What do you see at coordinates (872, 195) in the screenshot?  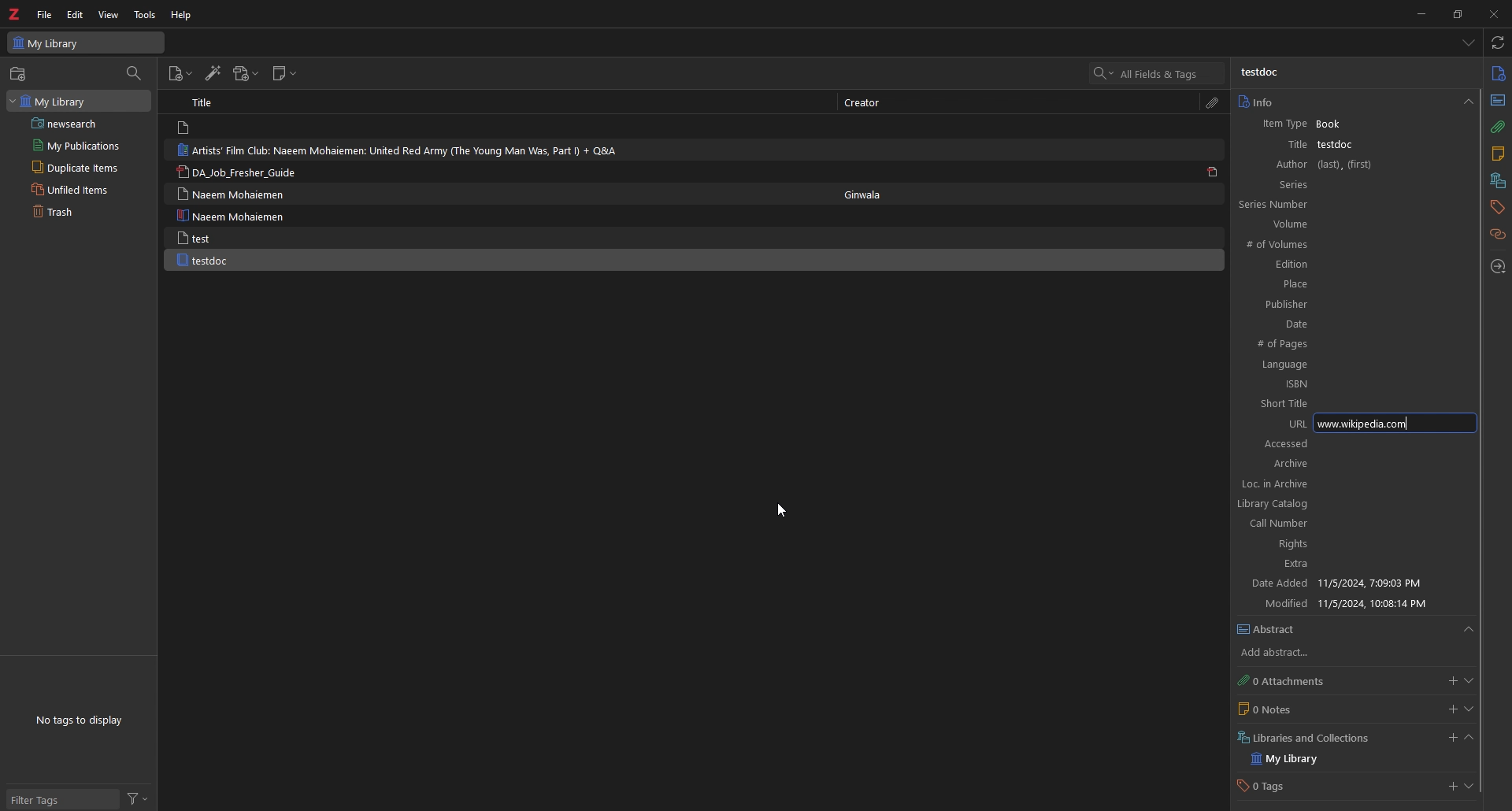 I see `Ginwala` at bounding box center [872, 195].